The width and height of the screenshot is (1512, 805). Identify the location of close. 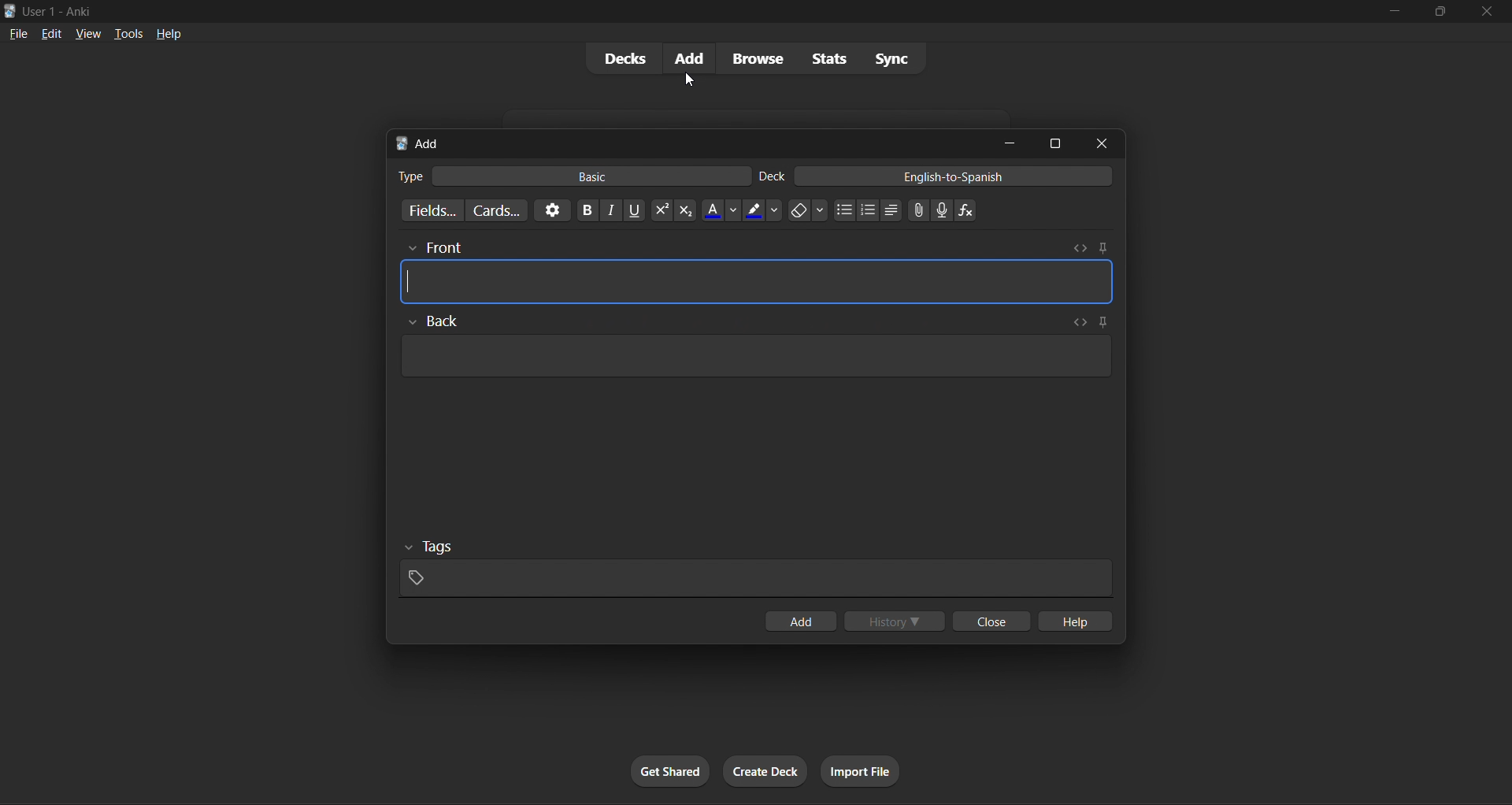
(1106, 143).